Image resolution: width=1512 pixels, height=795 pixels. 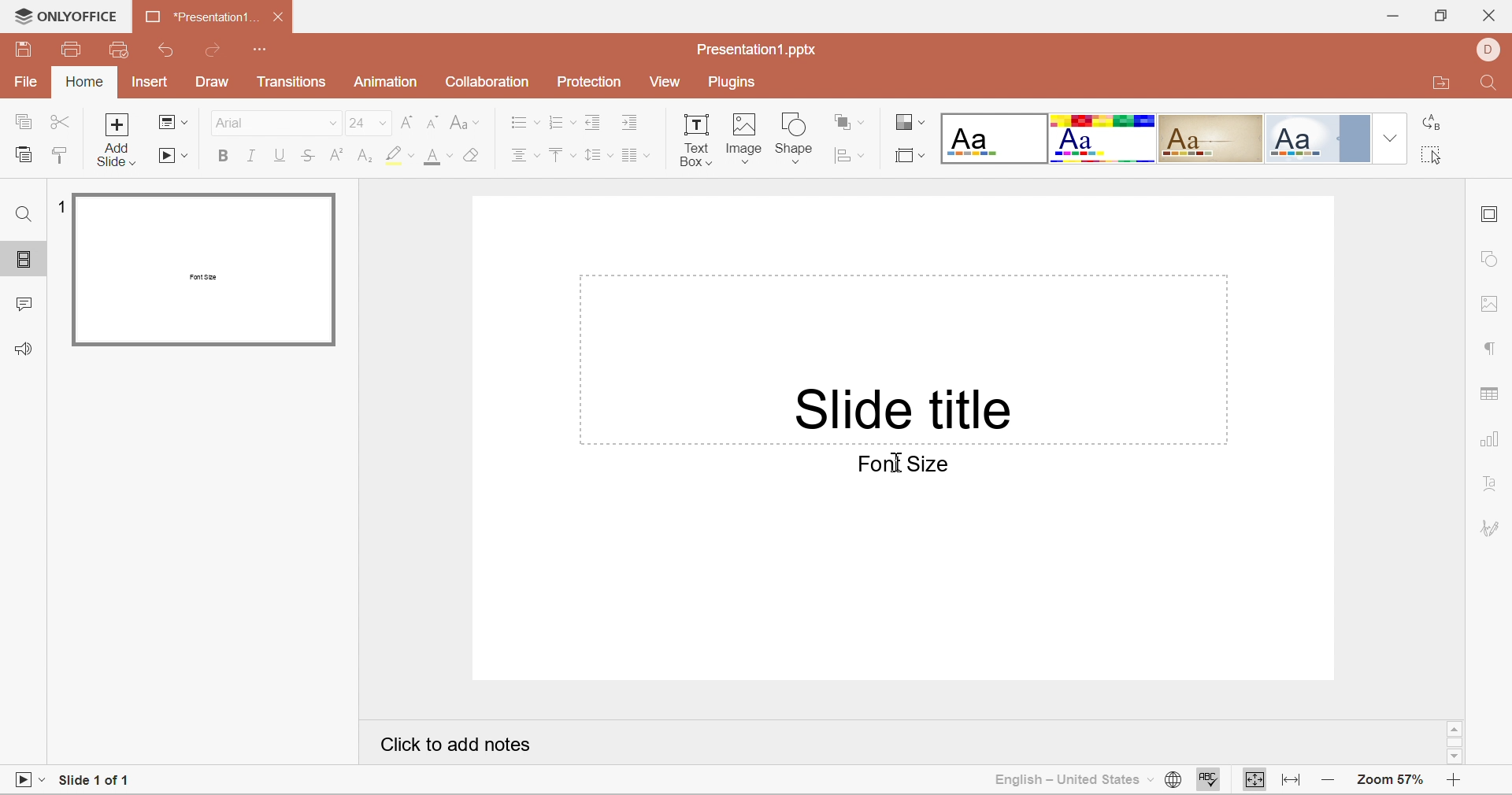 I want to click on Paste, so click(x=23, y=158).